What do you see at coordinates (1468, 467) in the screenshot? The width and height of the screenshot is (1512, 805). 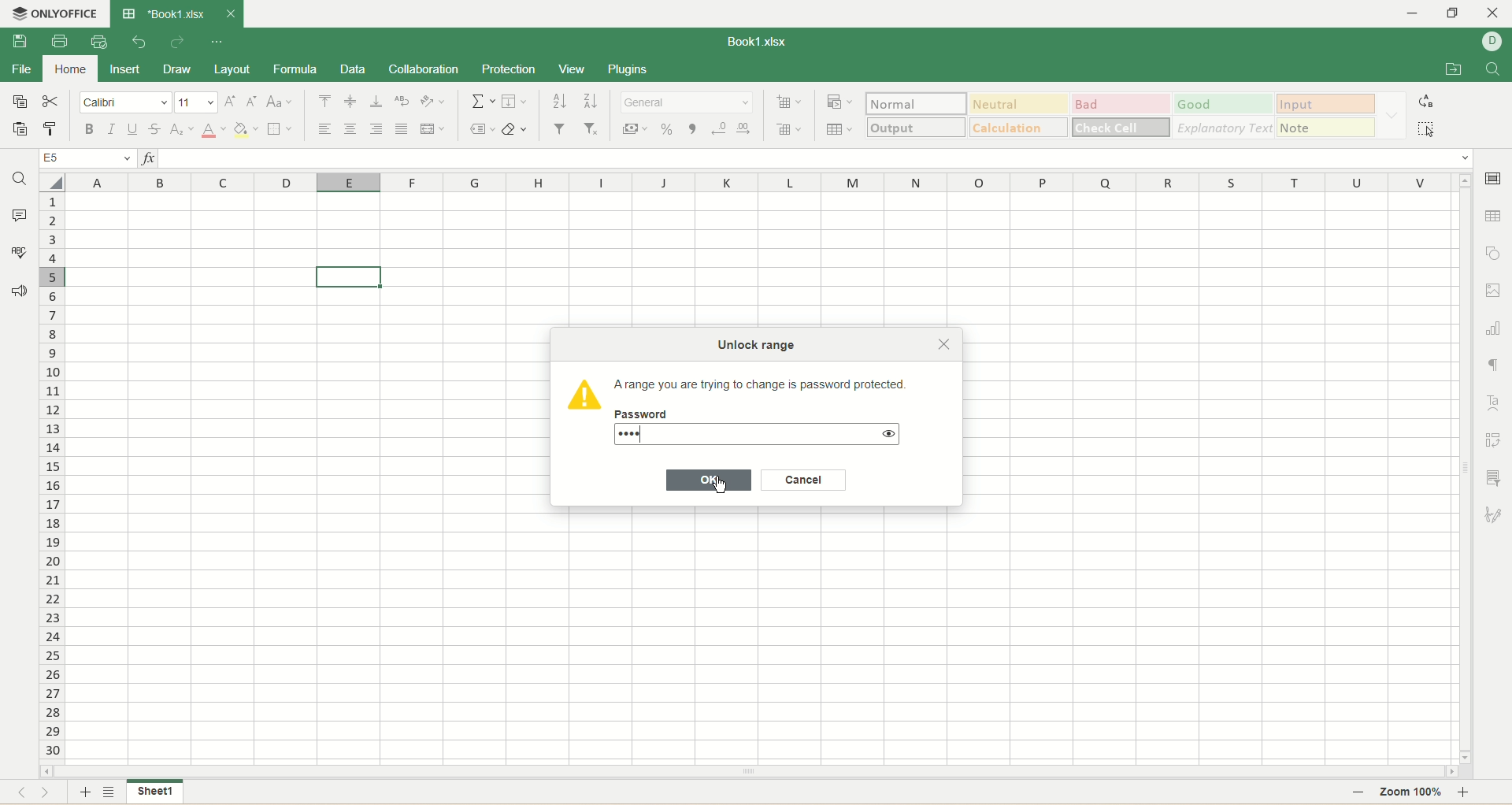 I see `vertical scroll bar` at bounding box center [1468, 467].